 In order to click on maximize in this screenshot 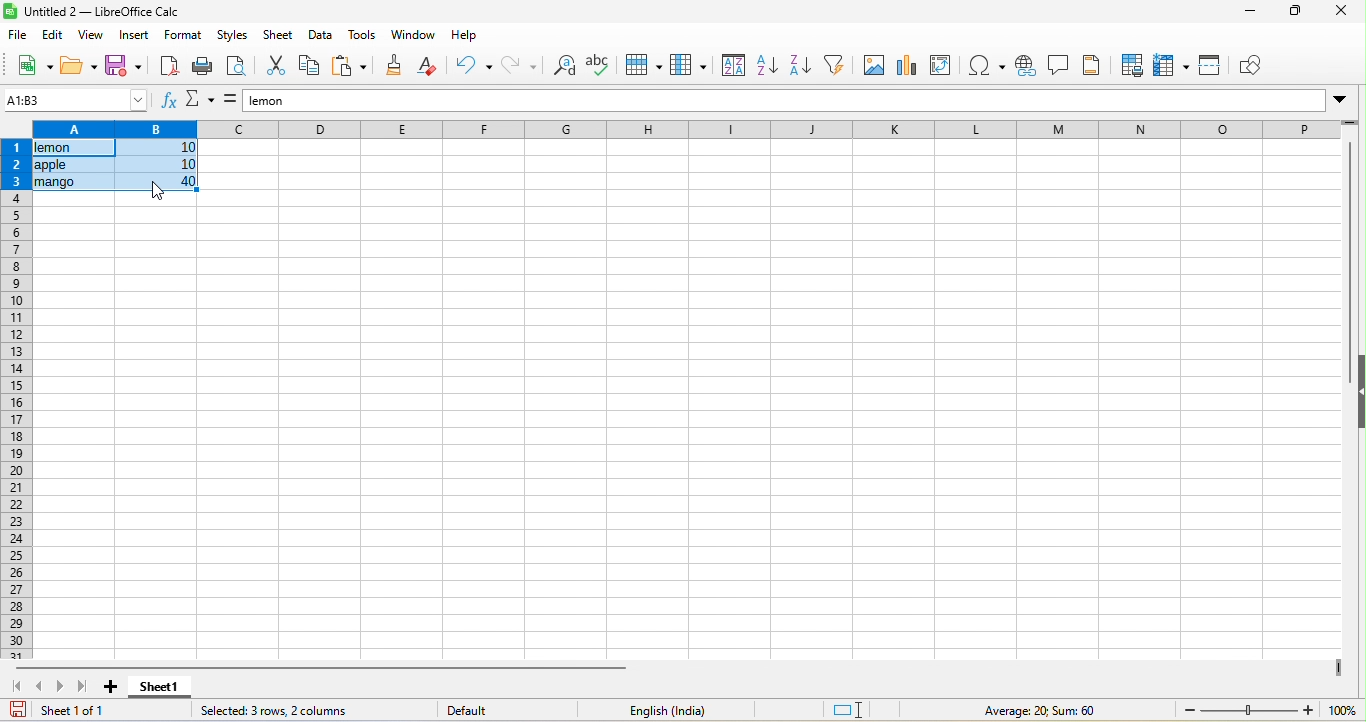, I will do `click(1292, 12)`.